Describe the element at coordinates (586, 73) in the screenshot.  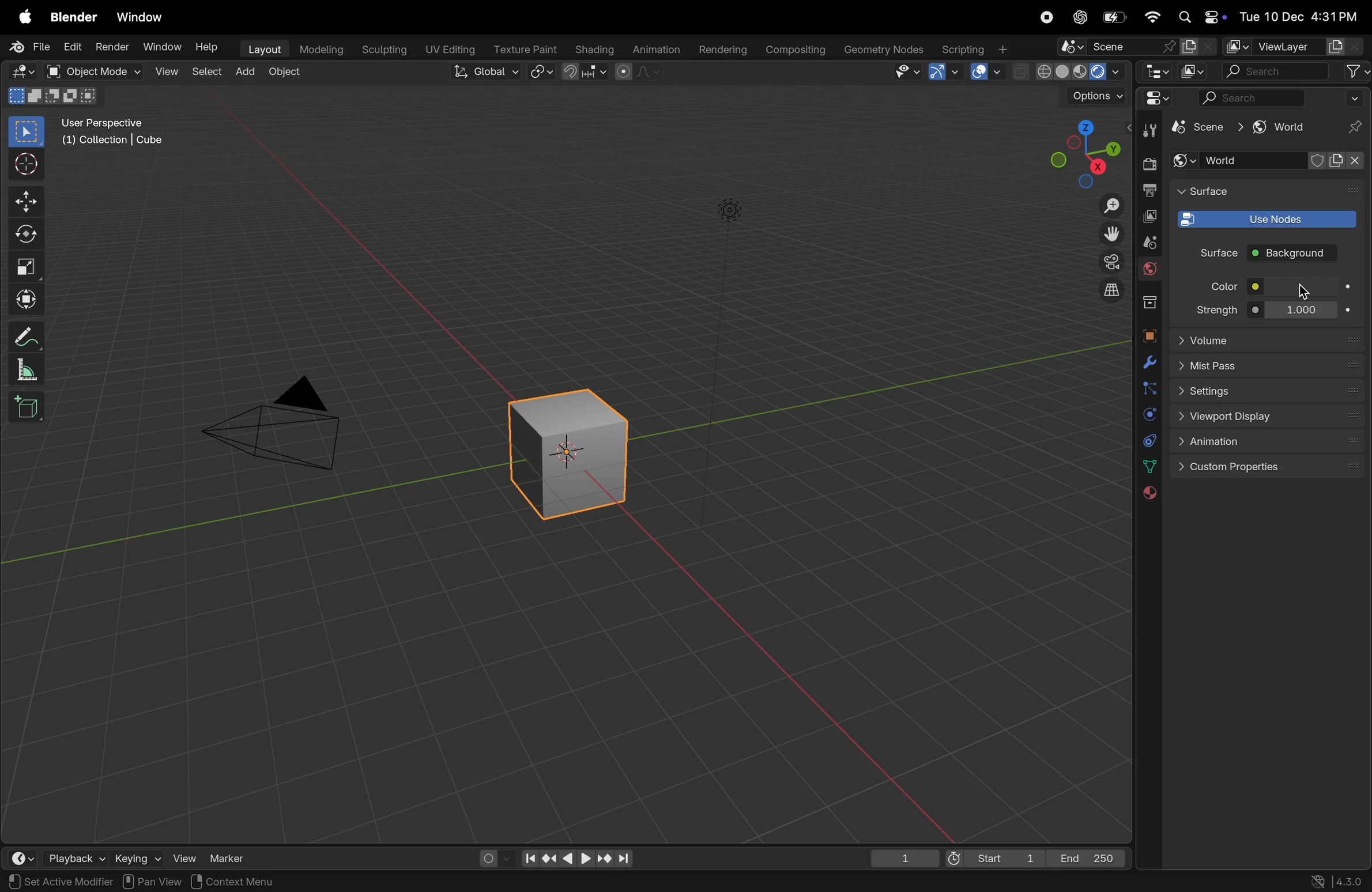
I see `snap` at that location.